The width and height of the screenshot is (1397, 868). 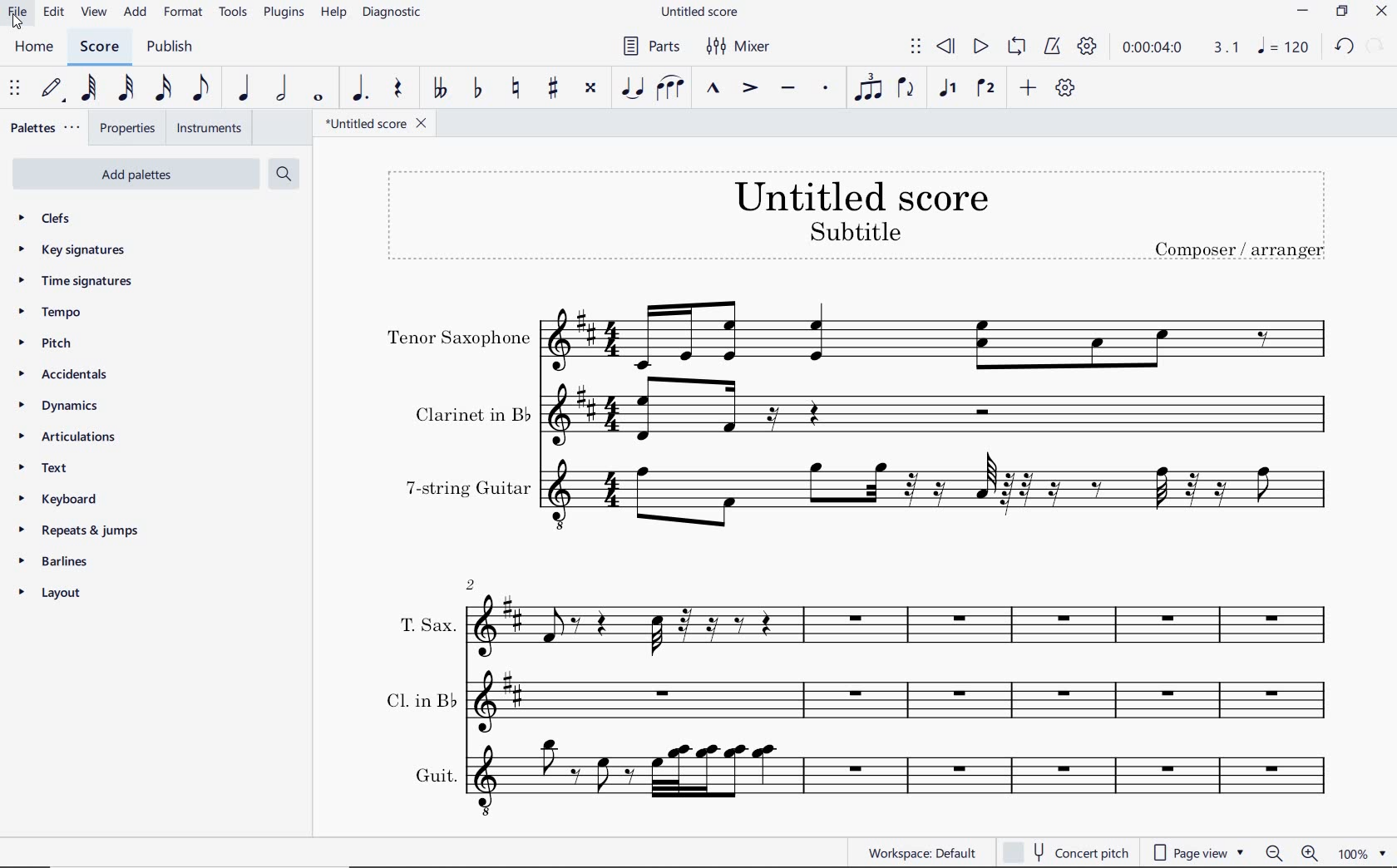 I want to click on LOOP PLAYBACK, so click(x=1015, y=48).